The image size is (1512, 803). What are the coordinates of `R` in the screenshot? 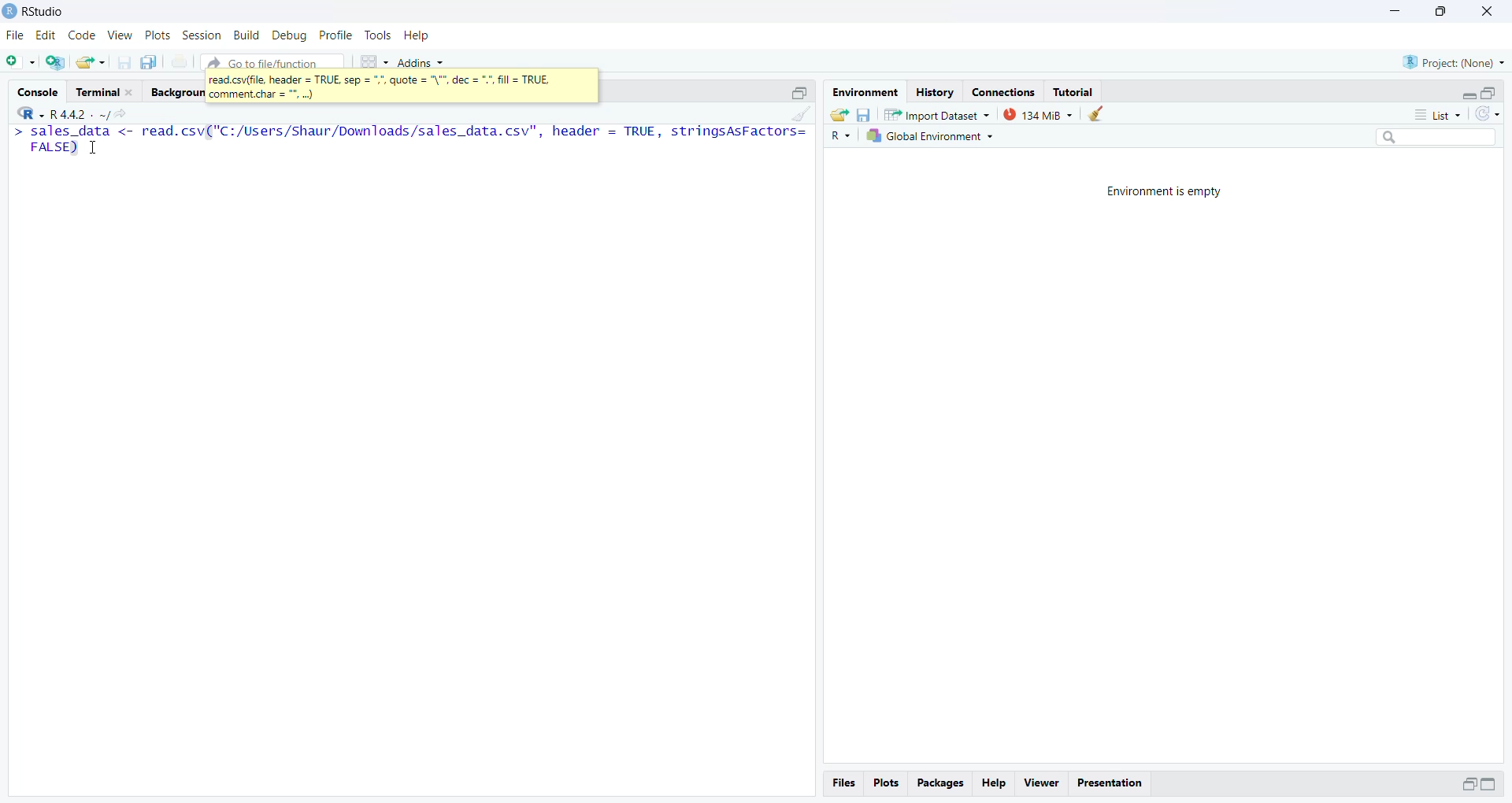 It's located at (839, 136).